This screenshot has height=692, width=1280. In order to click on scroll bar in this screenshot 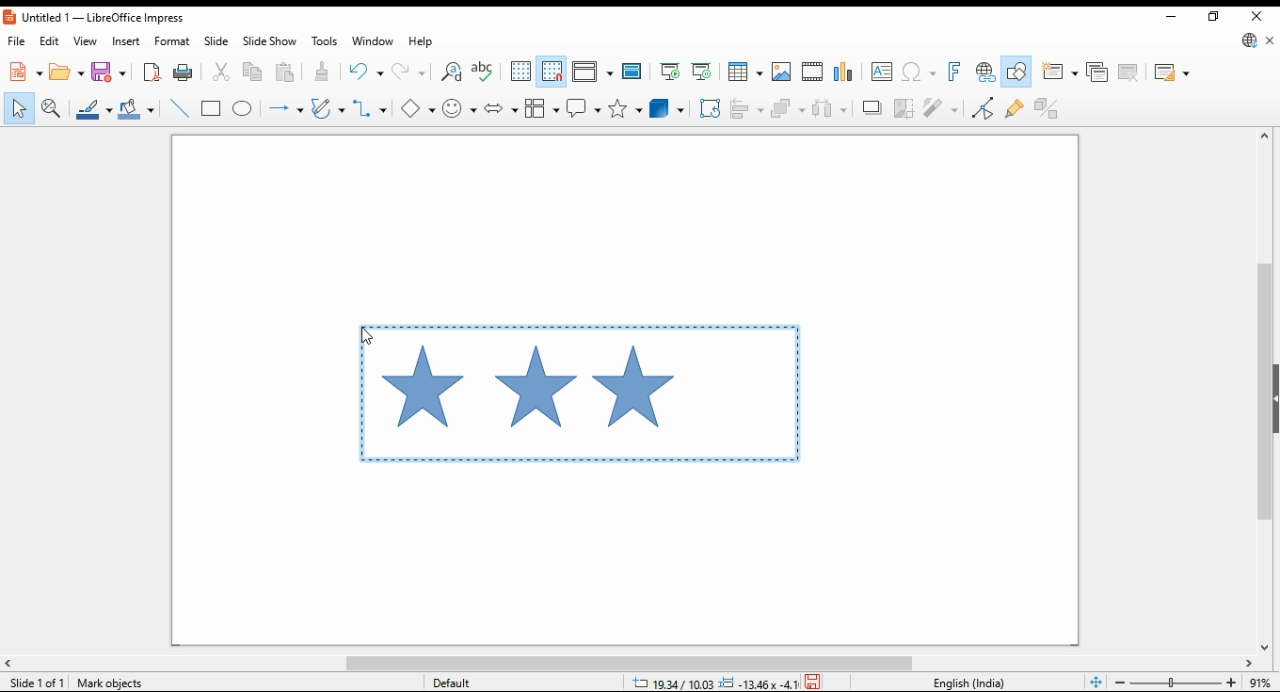, I will do `click(1264, 389)`.